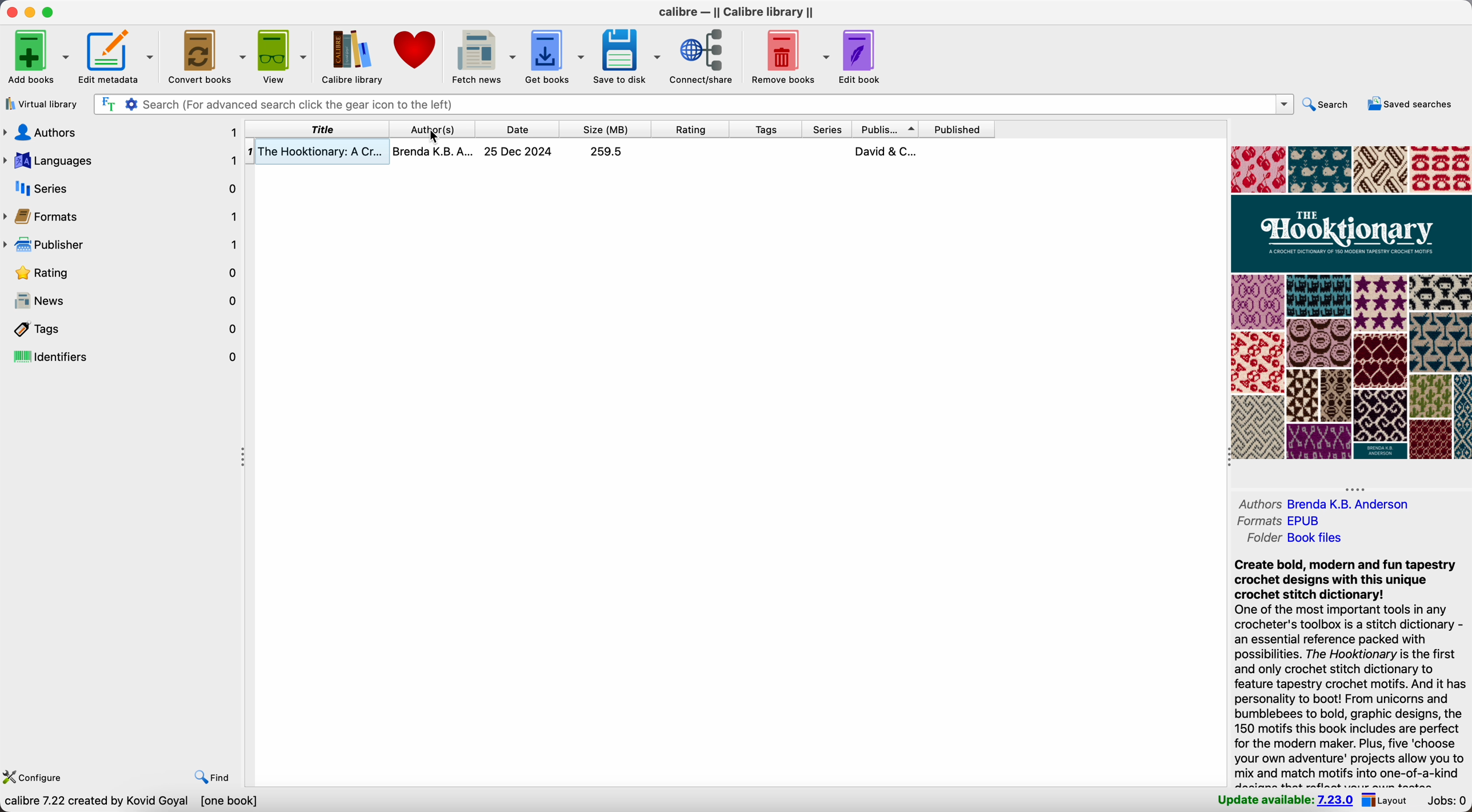  I want to click on get books, so click(555, 56).